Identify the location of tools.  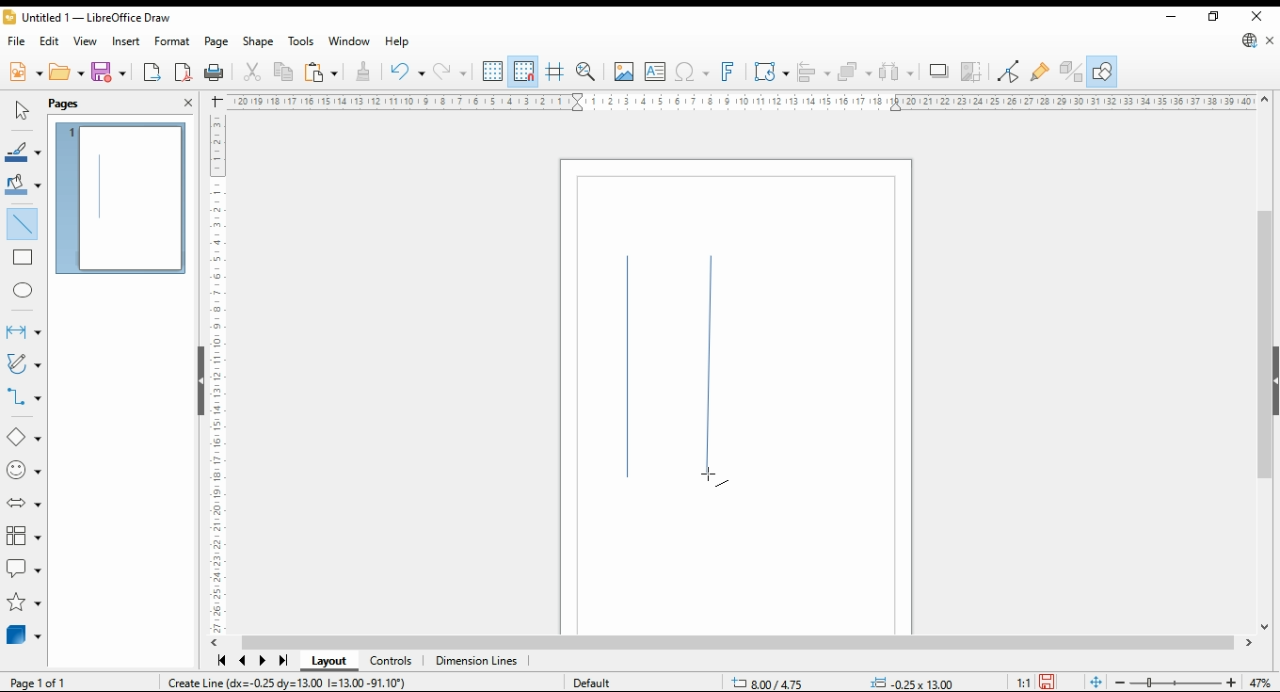
(301, 40).